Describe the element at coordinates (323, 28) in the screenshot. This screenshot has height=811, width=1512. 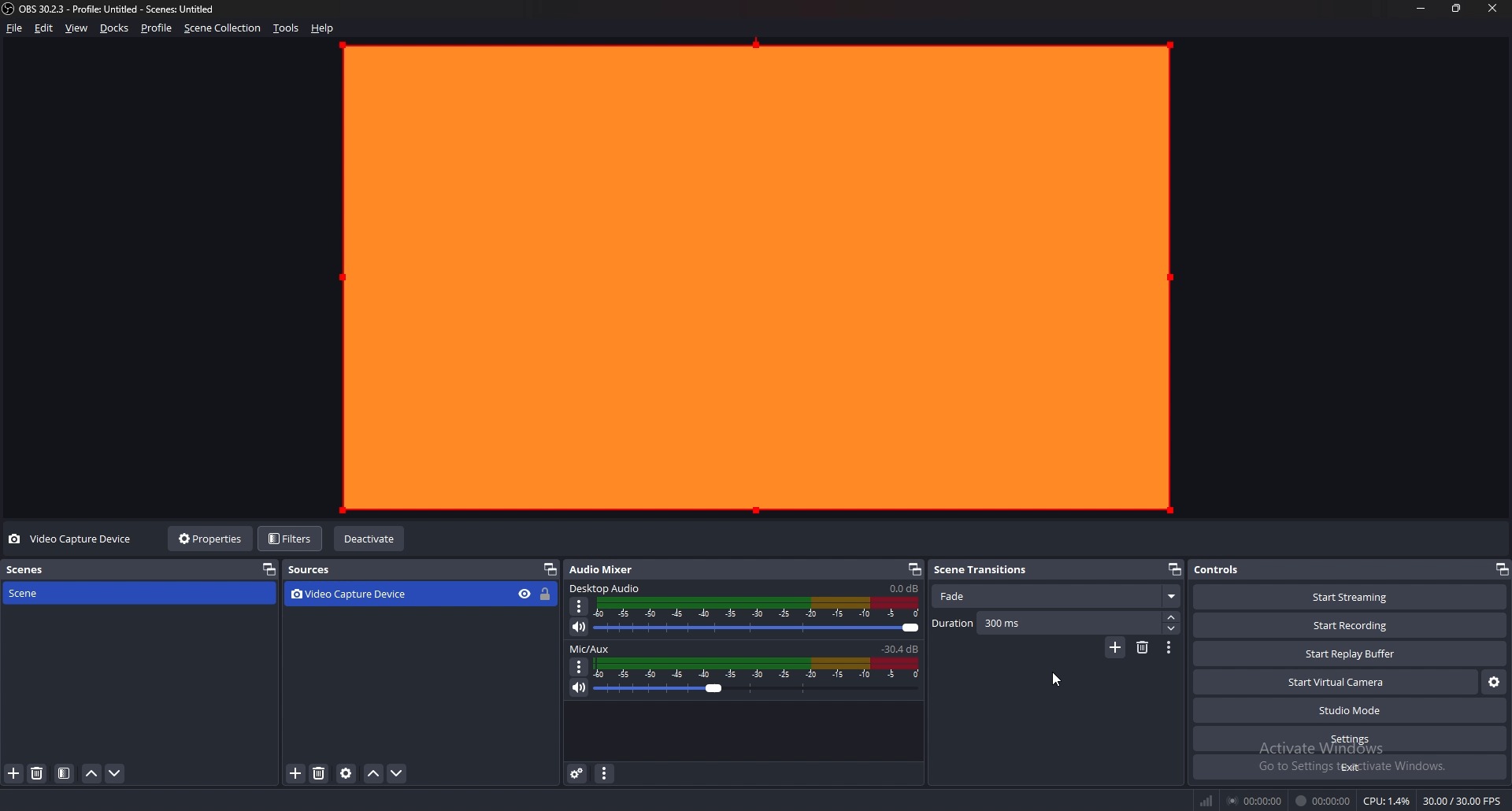
I see `help` at that location.